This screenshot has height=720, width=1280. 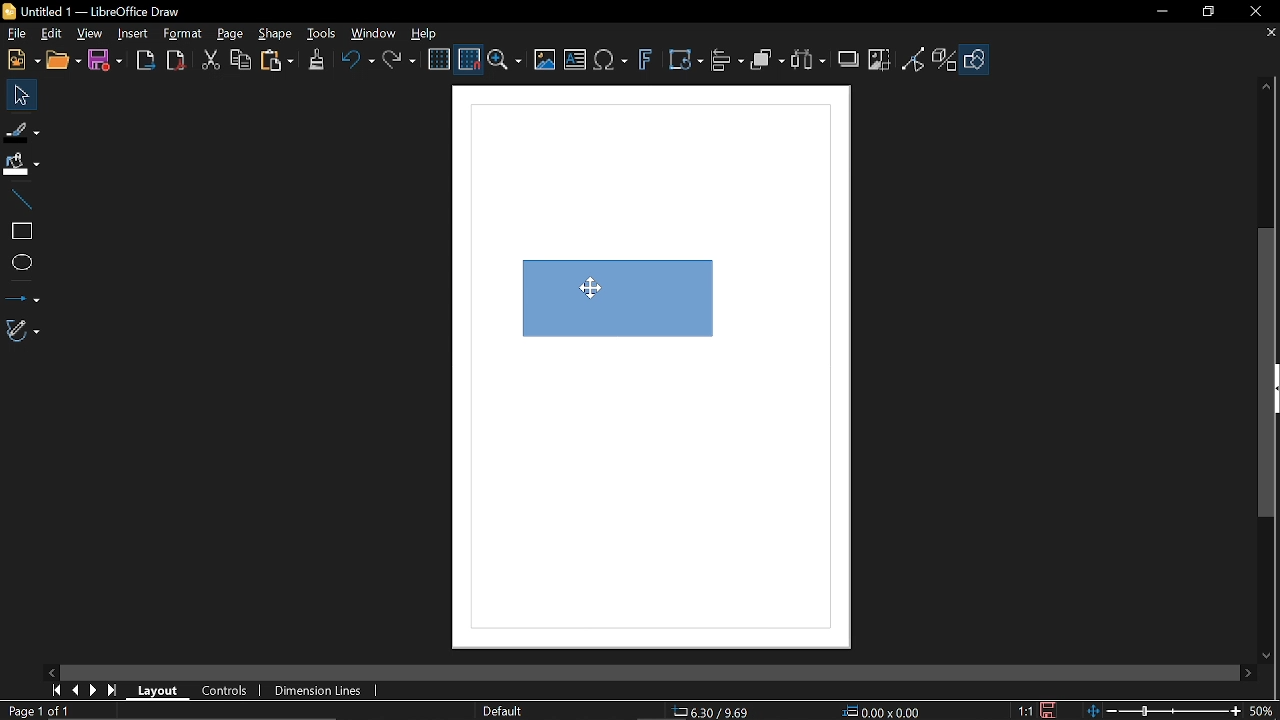 What do you see at coordinates (52, 671) in the screenshot?
I see `MOve left` at bounding box center [52, 671].